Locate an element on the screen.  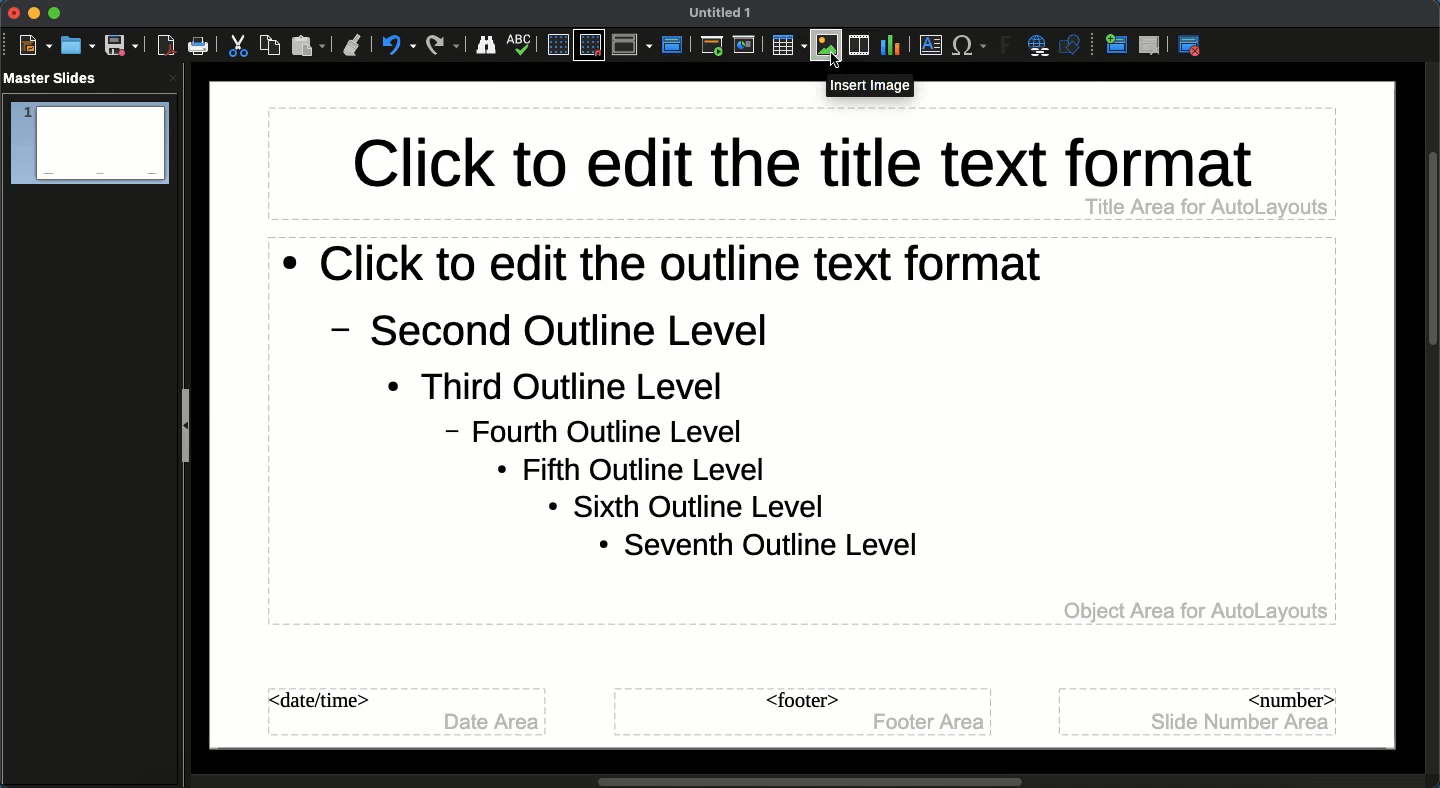
Hyperlink is located at coordinates (1038, 46).